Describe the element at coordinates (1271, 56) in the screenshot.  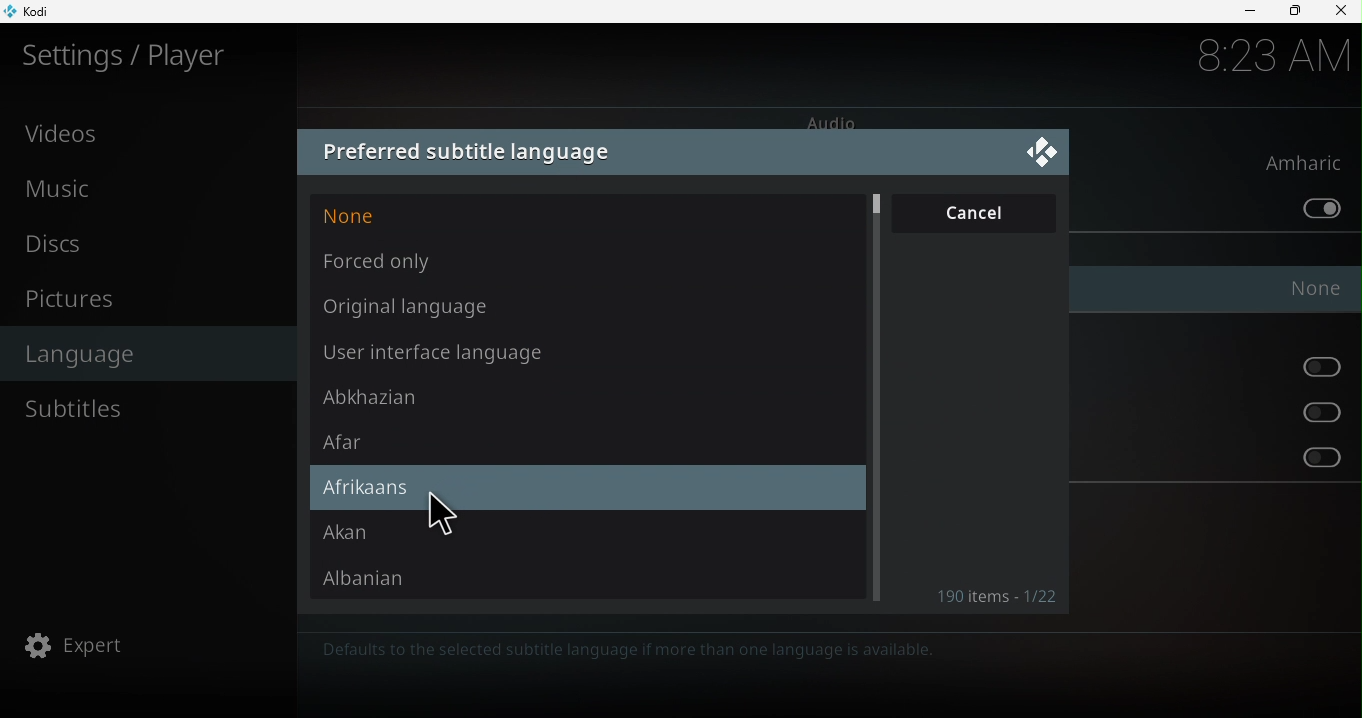
I see `8:22 AM` at that location.